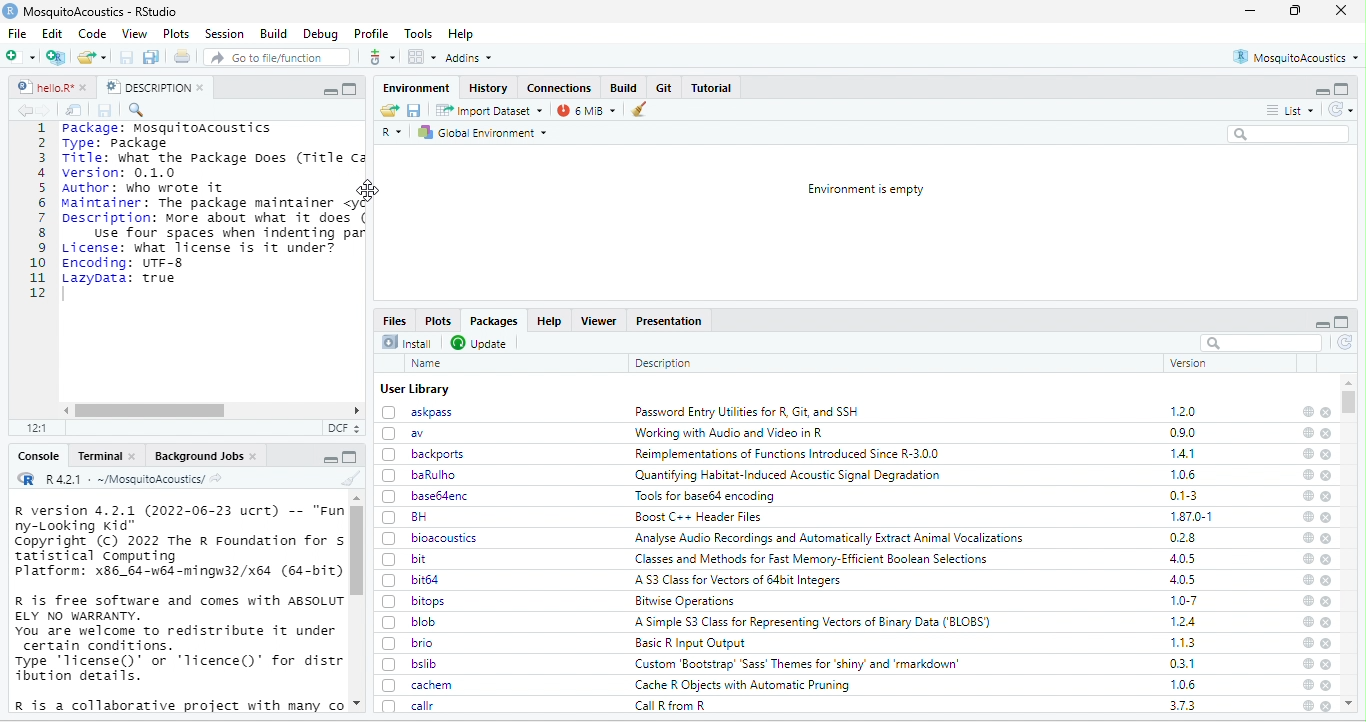  I want to click on Call R from R, so click(669, 704).